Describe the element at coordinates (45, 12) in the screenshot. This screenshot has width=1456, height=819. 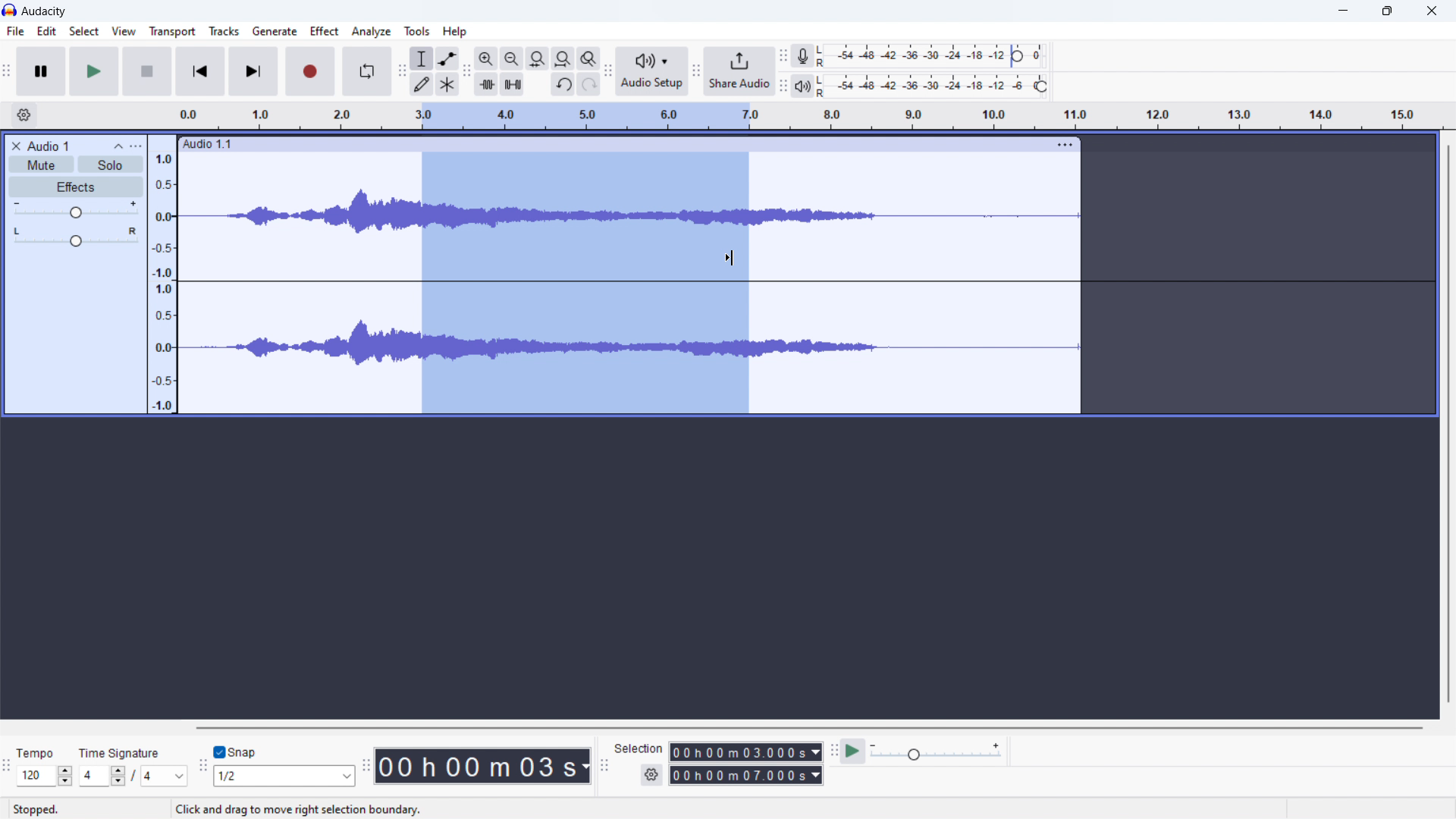
I see `audacity` at that location.